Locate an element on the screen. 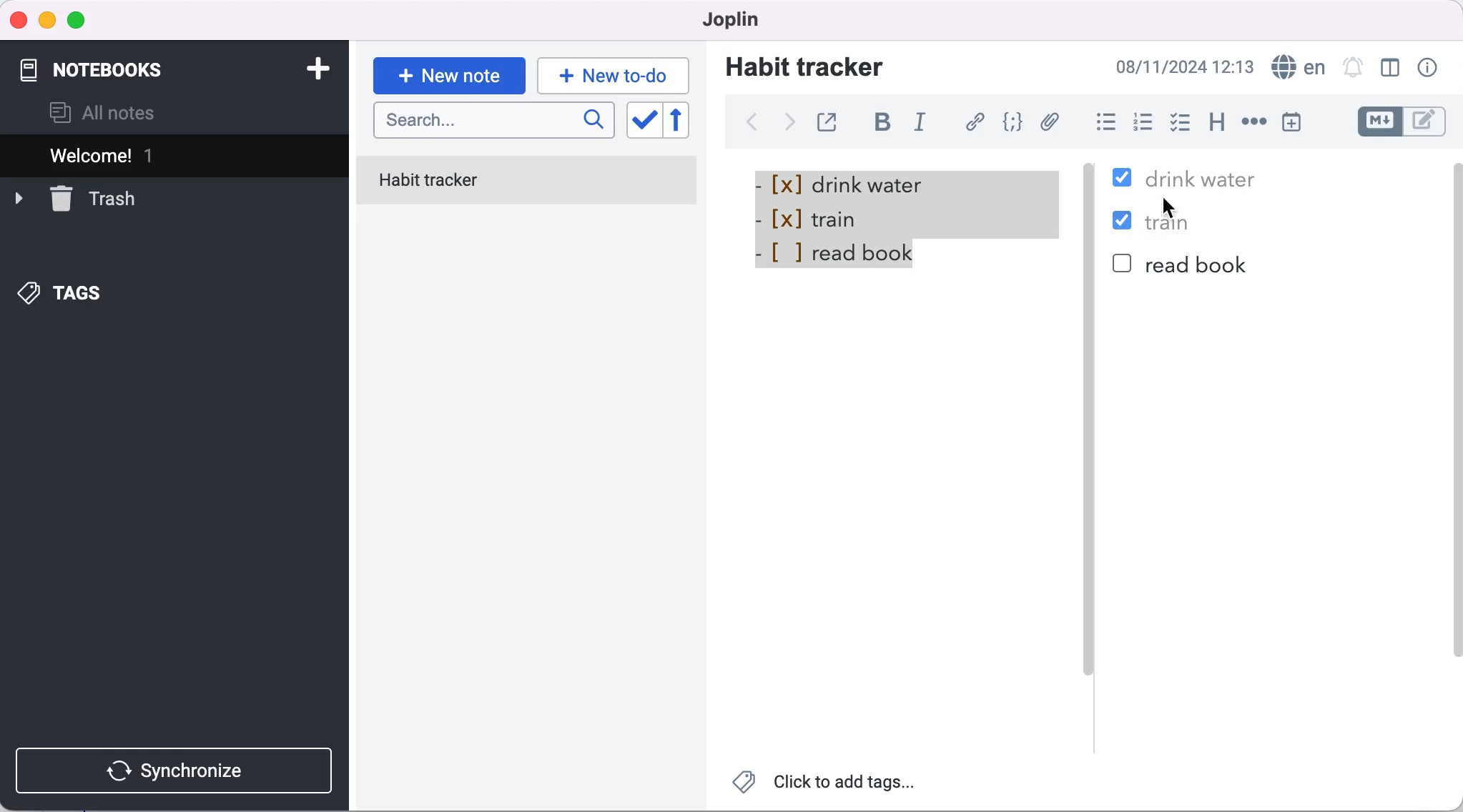  all notes is located at coordinates (103, 113).